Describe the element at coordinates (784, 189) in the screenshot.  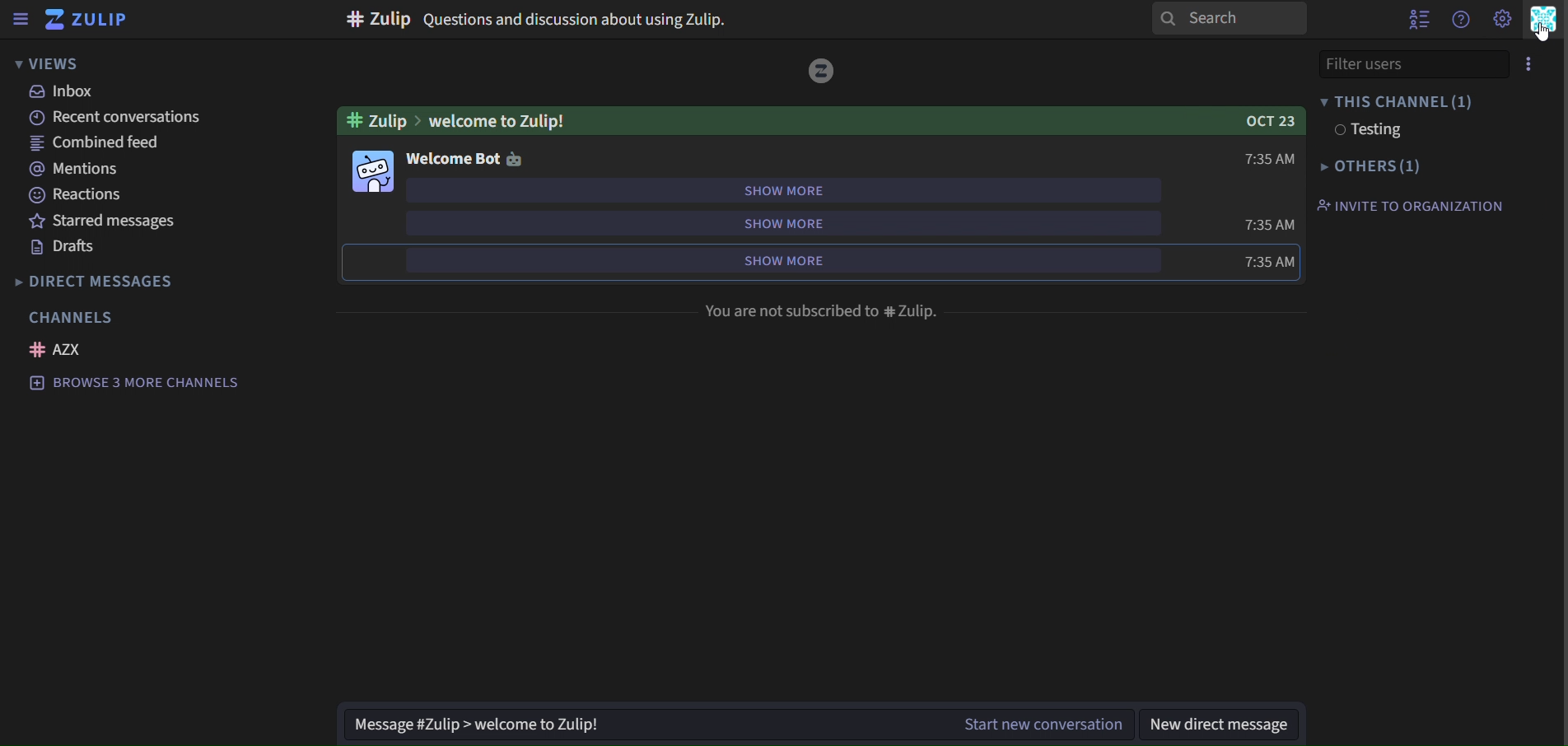
I see `show more` at that location.